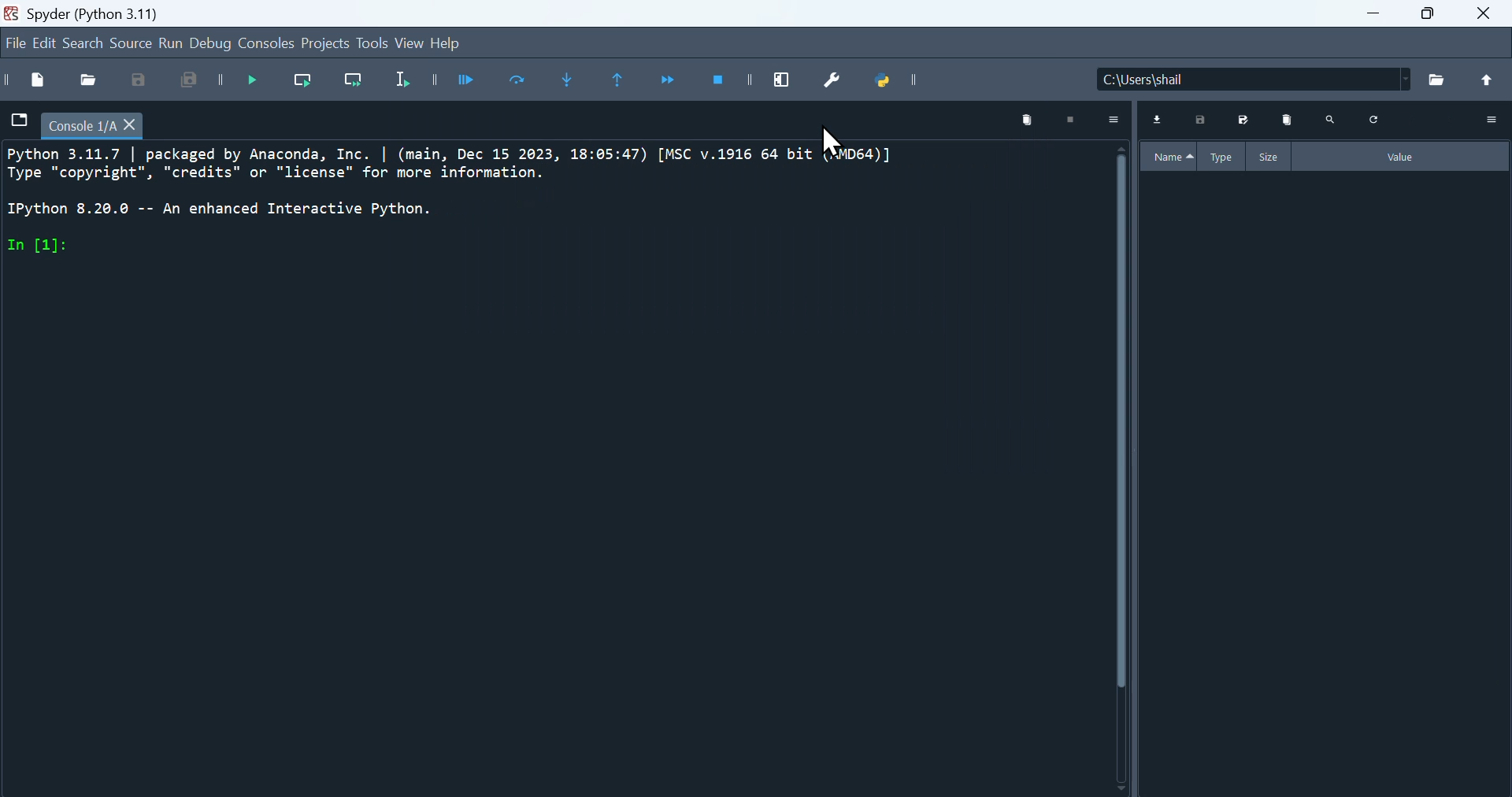 The width and height of the screenshot is (1512, 797). I want to click on stop, so click(1077, 118).